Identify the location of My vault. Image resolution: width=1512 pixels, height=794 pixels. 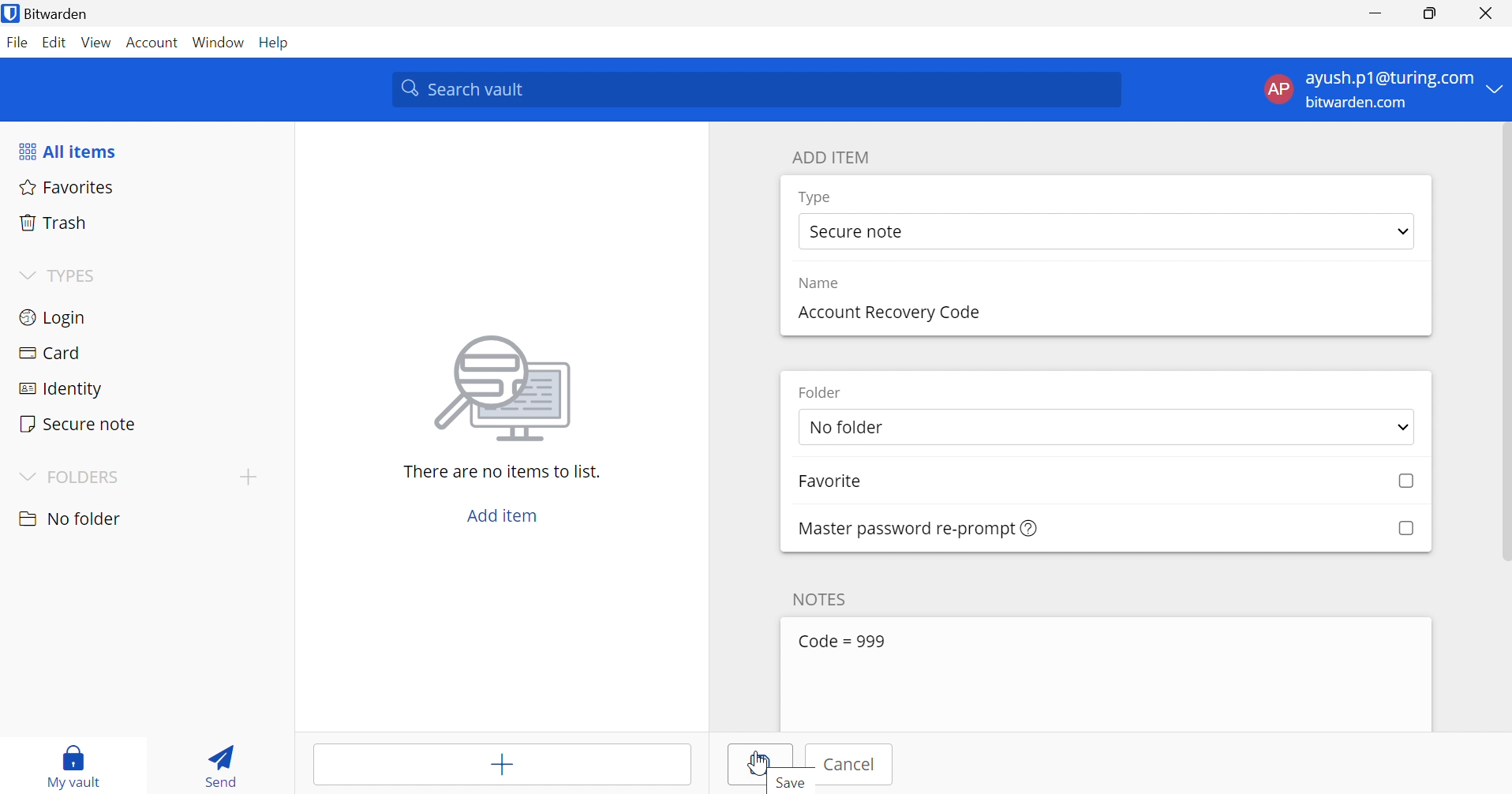
(80, 755).